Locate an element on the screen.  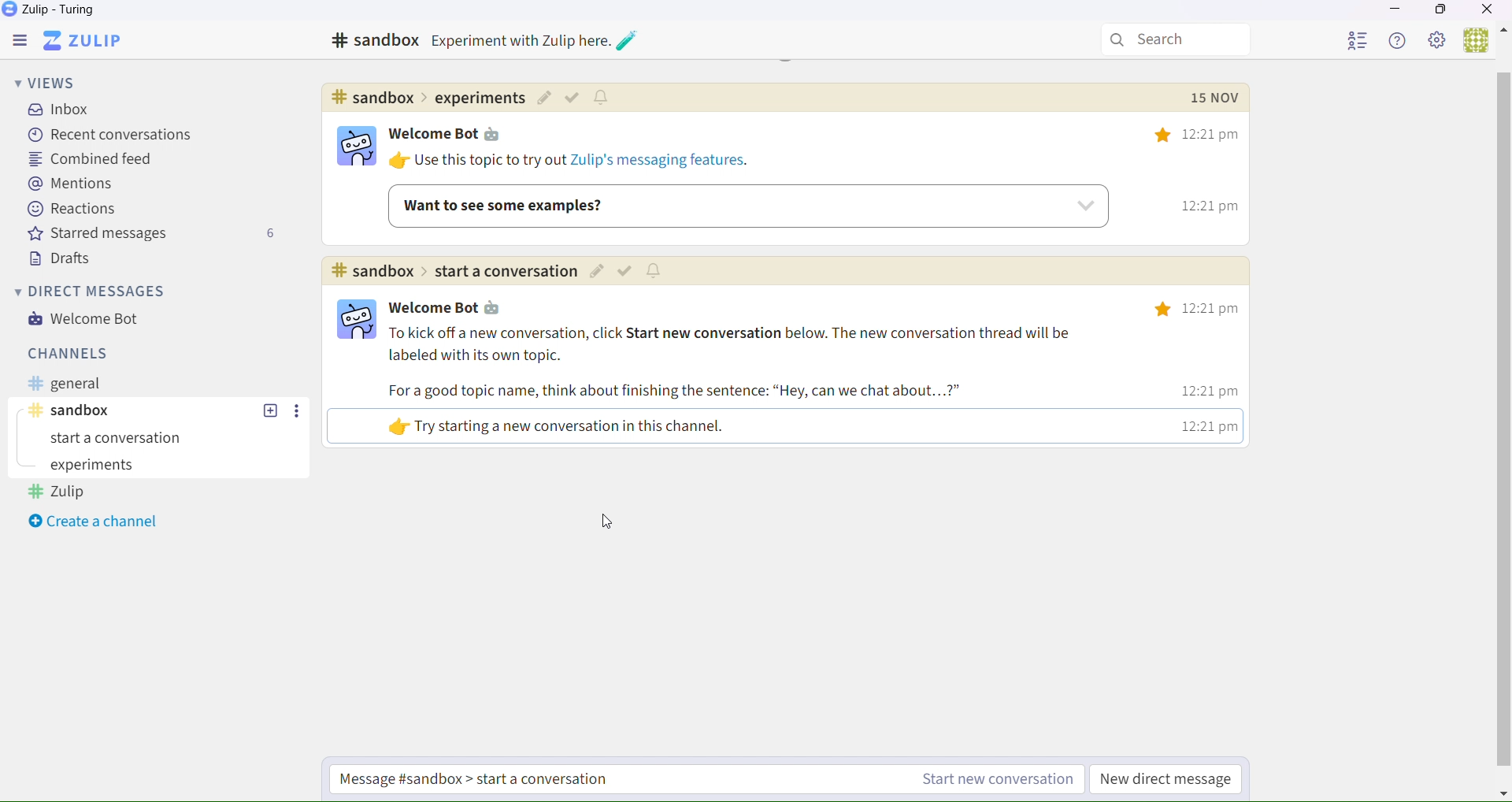
 is located at coordinates (1503, 793).